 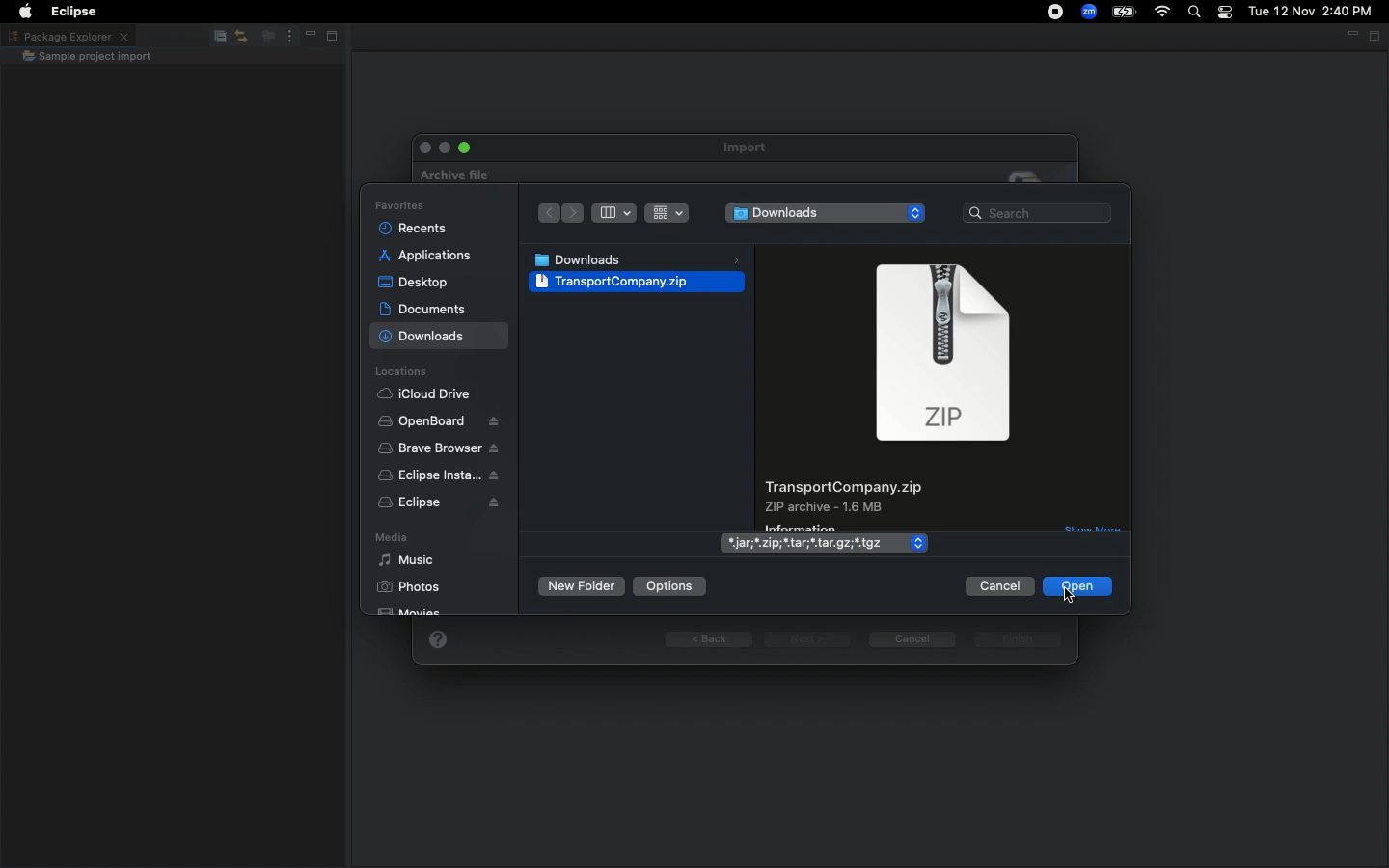 I want to click on Maximize, so click(x=330, y=39).